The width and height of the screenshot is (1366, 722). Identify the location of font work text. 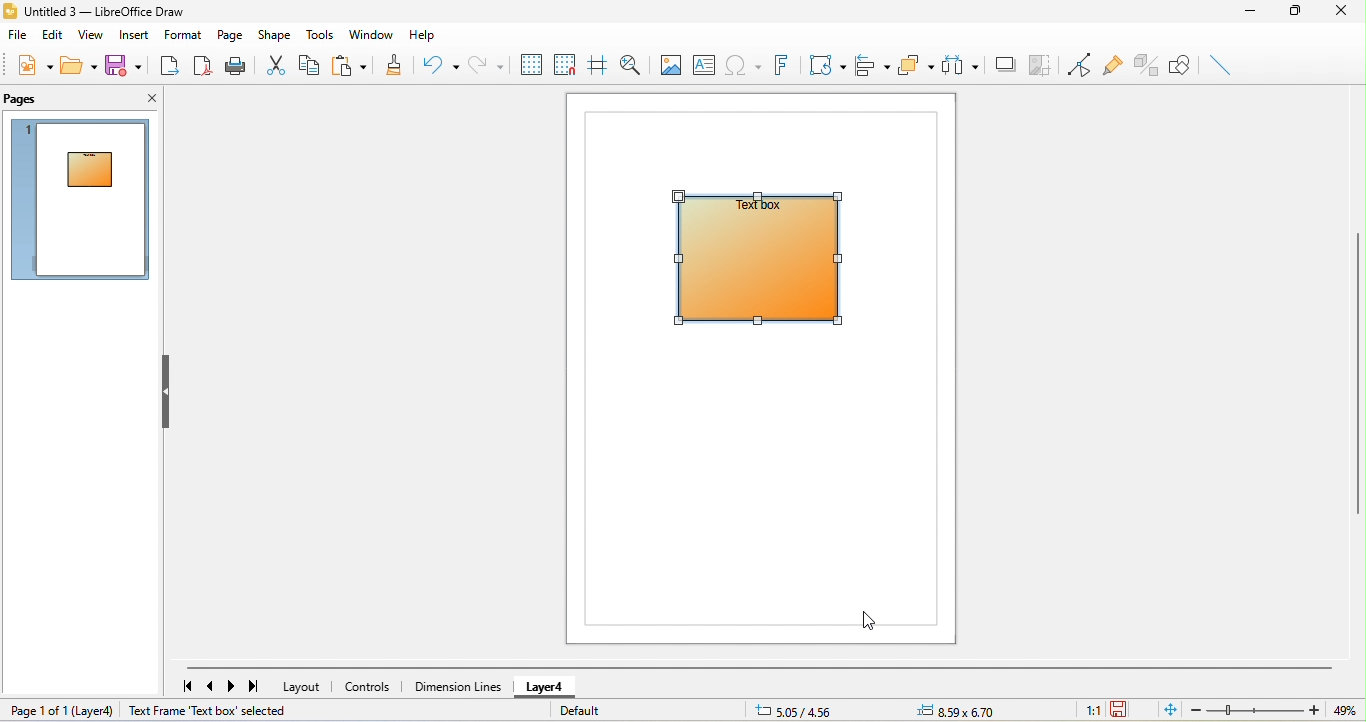
(783, 67).